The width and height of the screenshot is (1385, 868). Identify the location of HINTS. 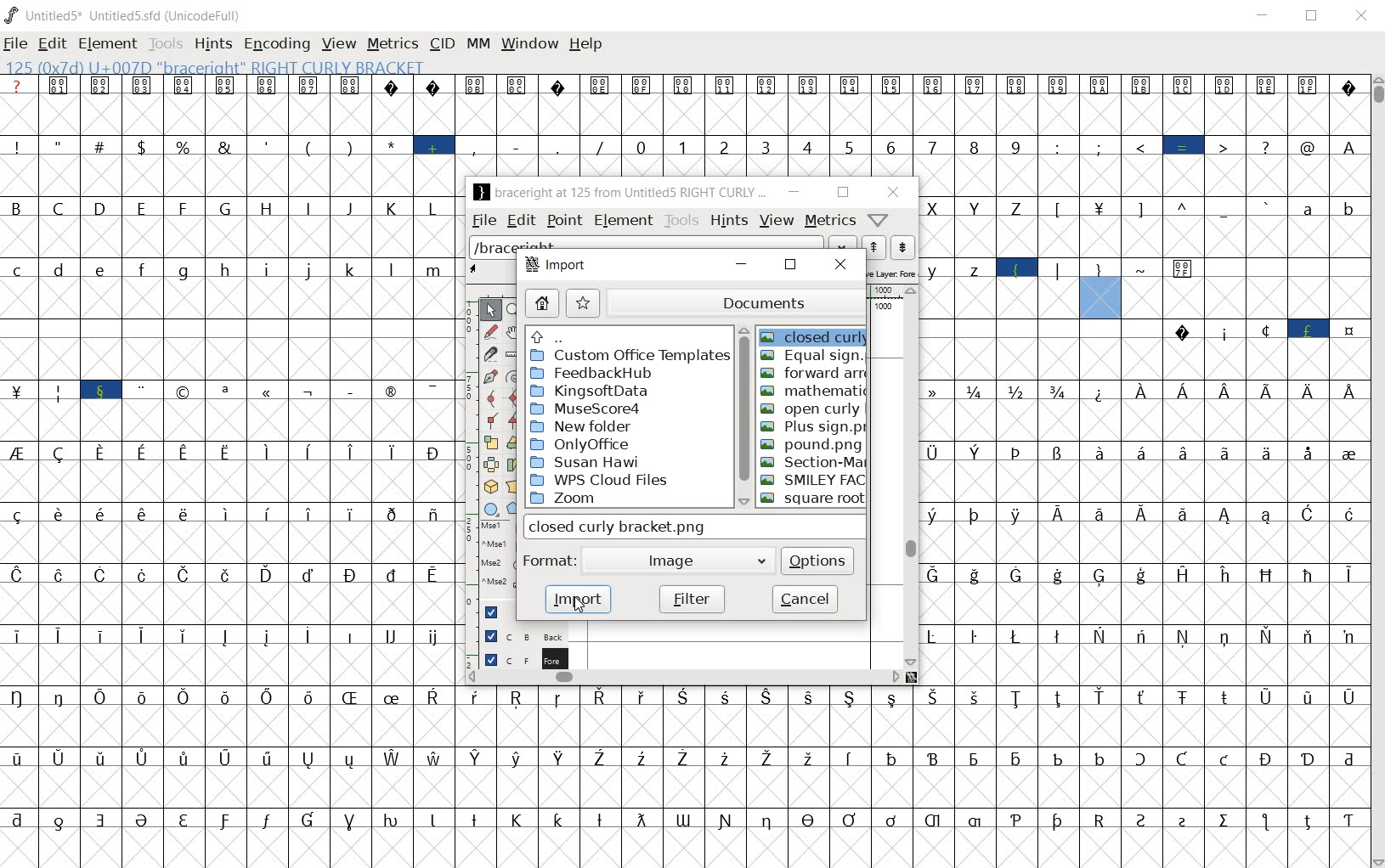
(212, 45).